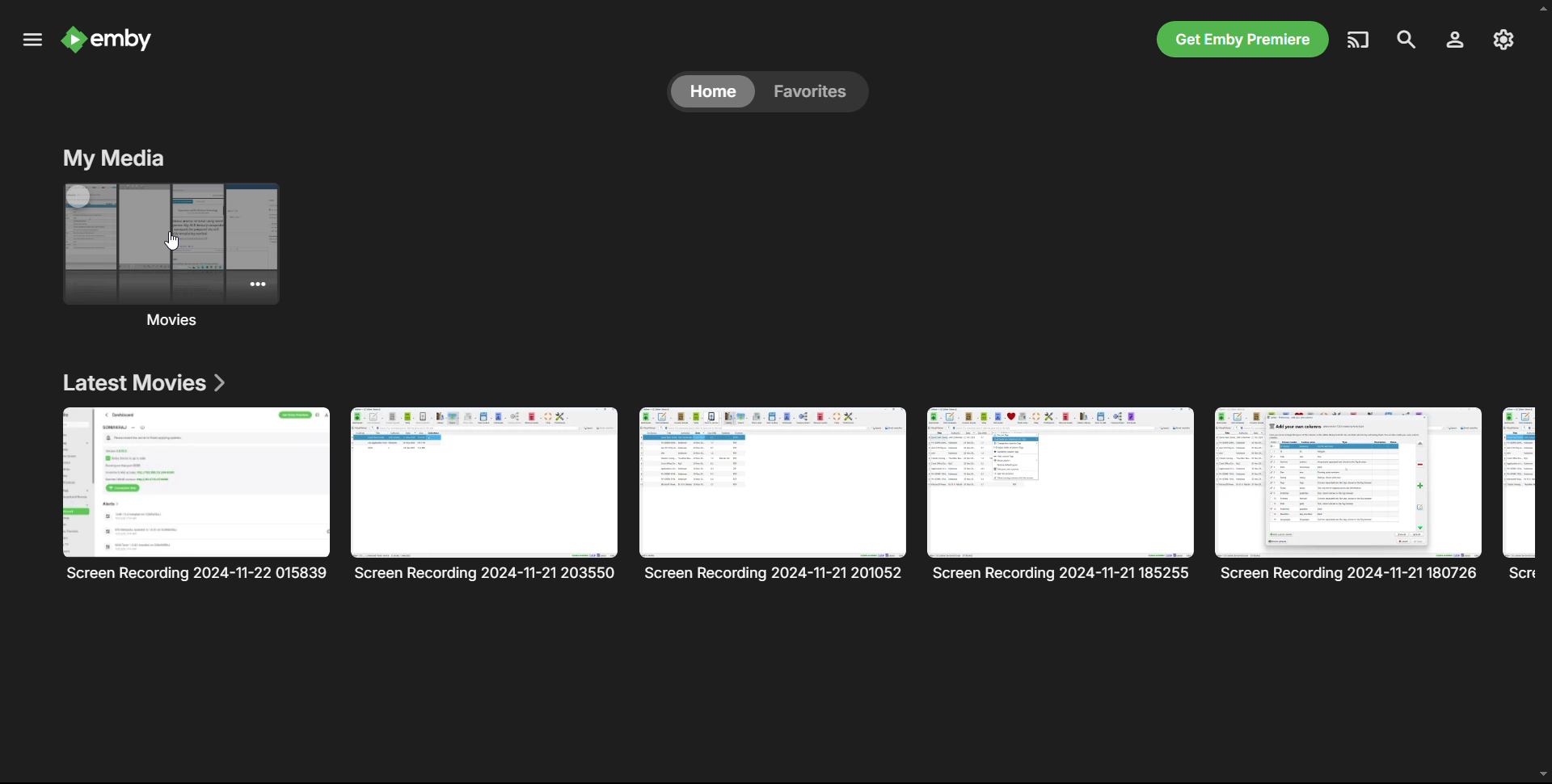 This screenshot has width=1552, height=784. What do you see at coordinates (713, 91) in the screenshot?
I see `home` at bounding box center [713, 91].